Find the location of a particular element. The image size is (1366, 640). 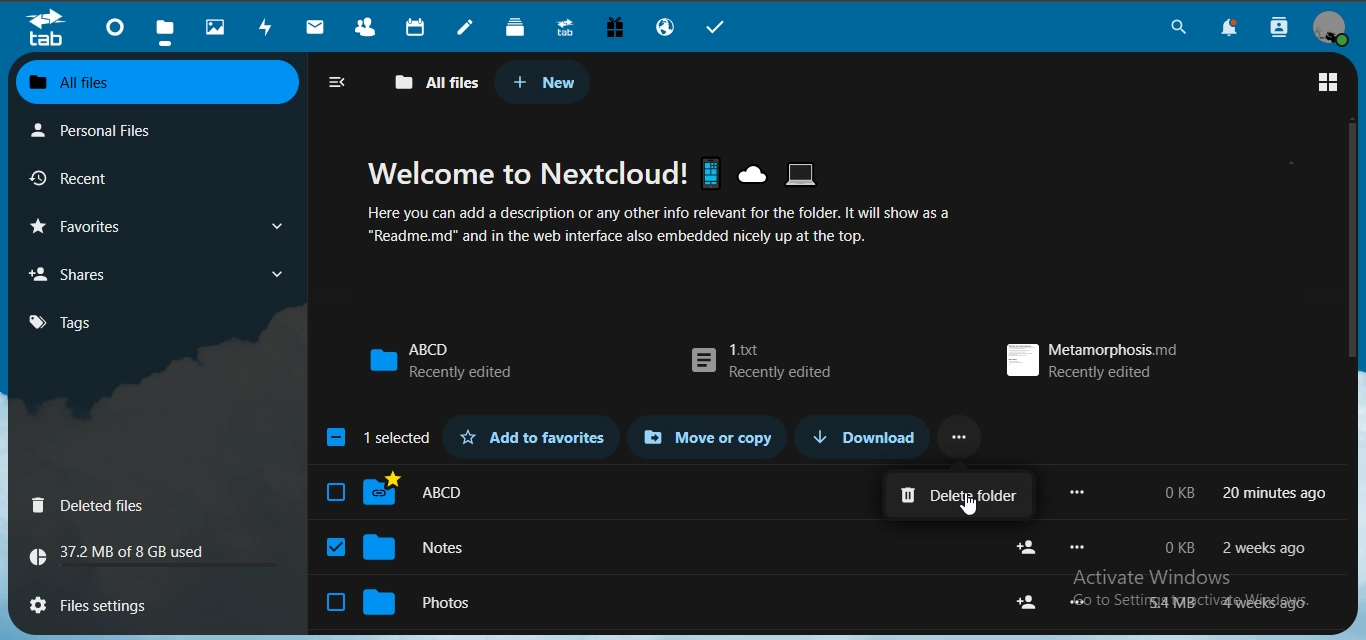

files settings is located at coordinates (98, 604).